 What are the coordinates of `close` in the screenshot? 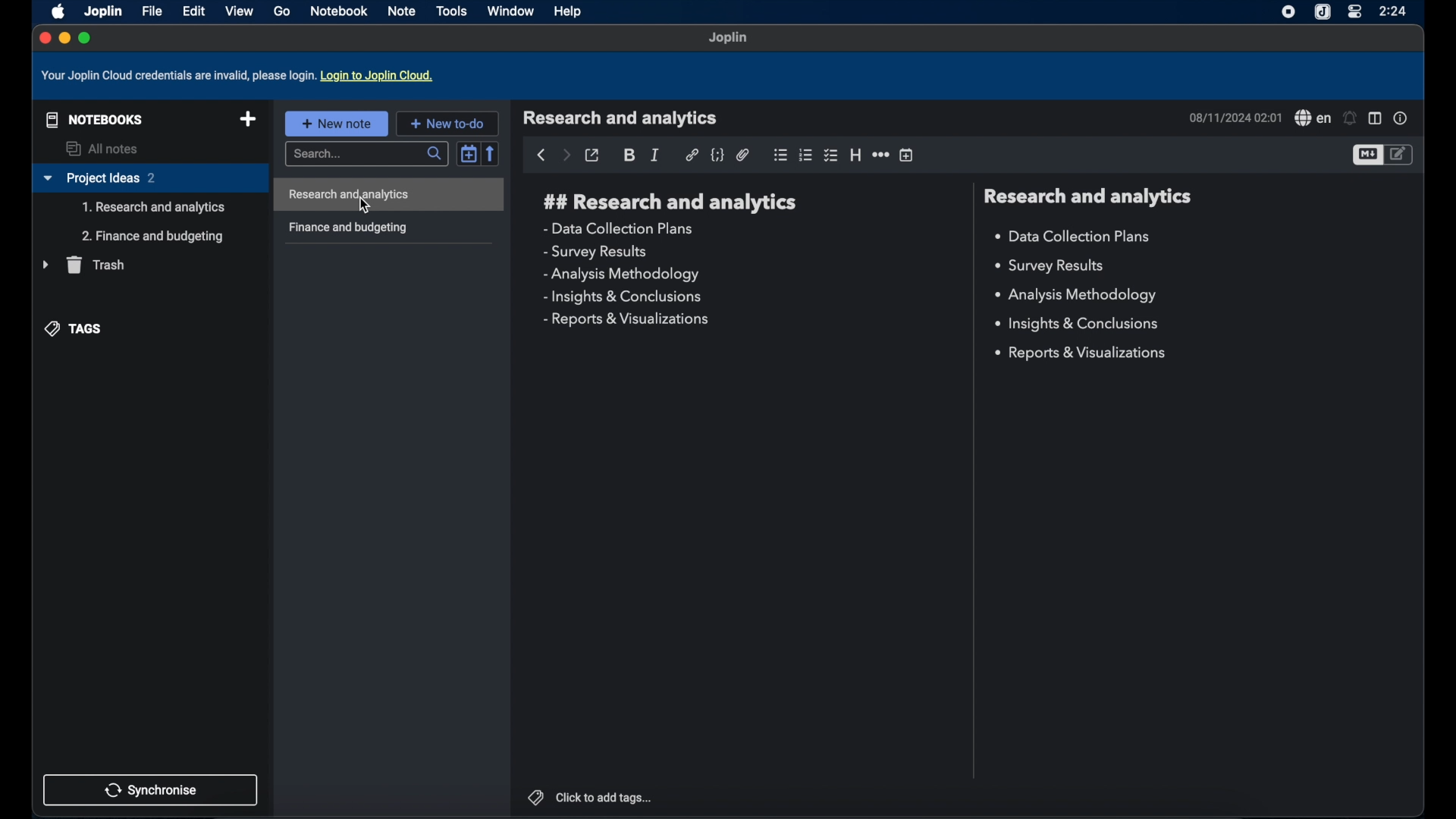 It's located at (43, 37).